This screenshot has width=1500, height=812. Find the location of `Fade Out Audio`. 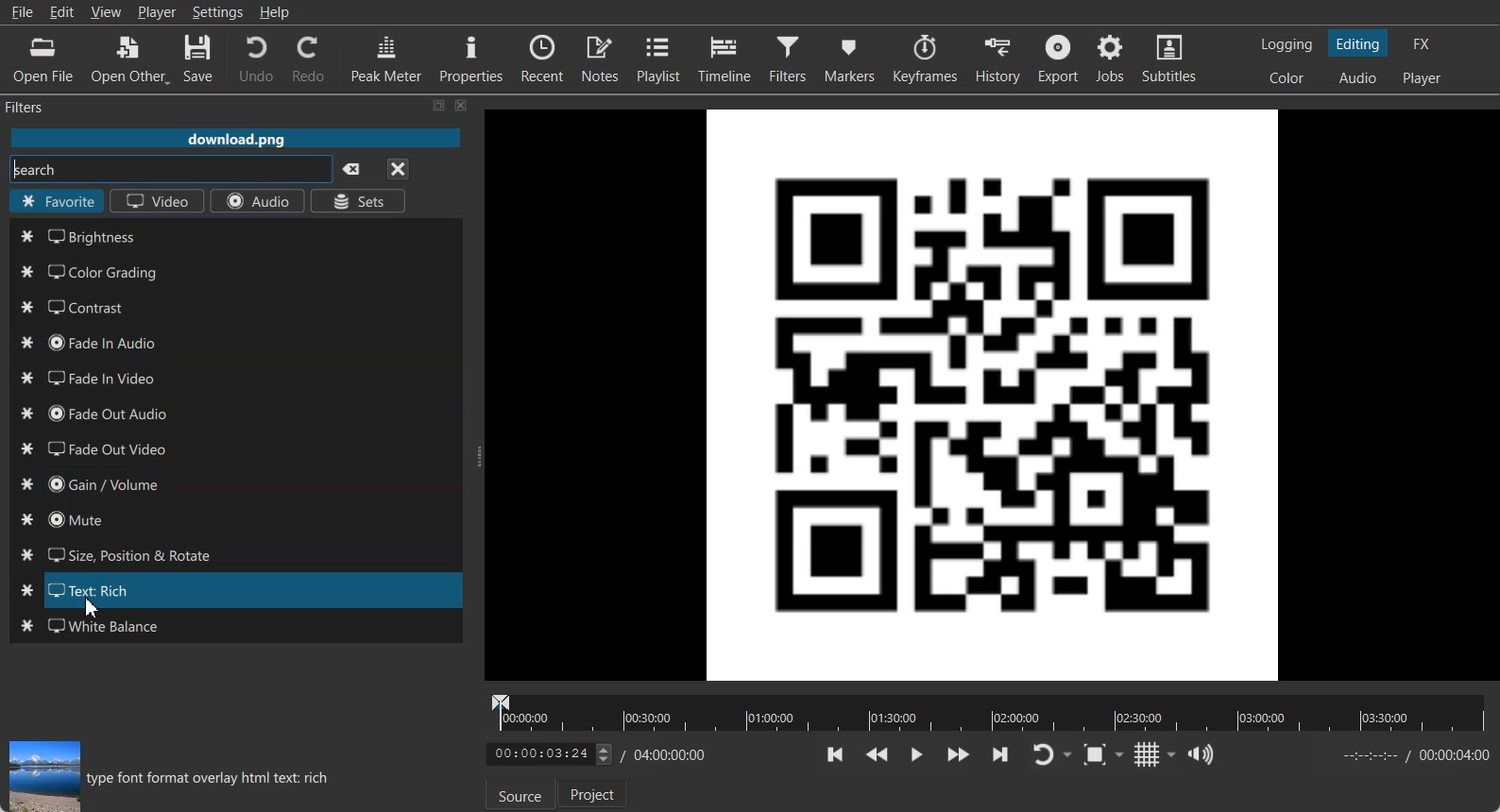

Fade Out Audio is located at coordinates (234, 413).